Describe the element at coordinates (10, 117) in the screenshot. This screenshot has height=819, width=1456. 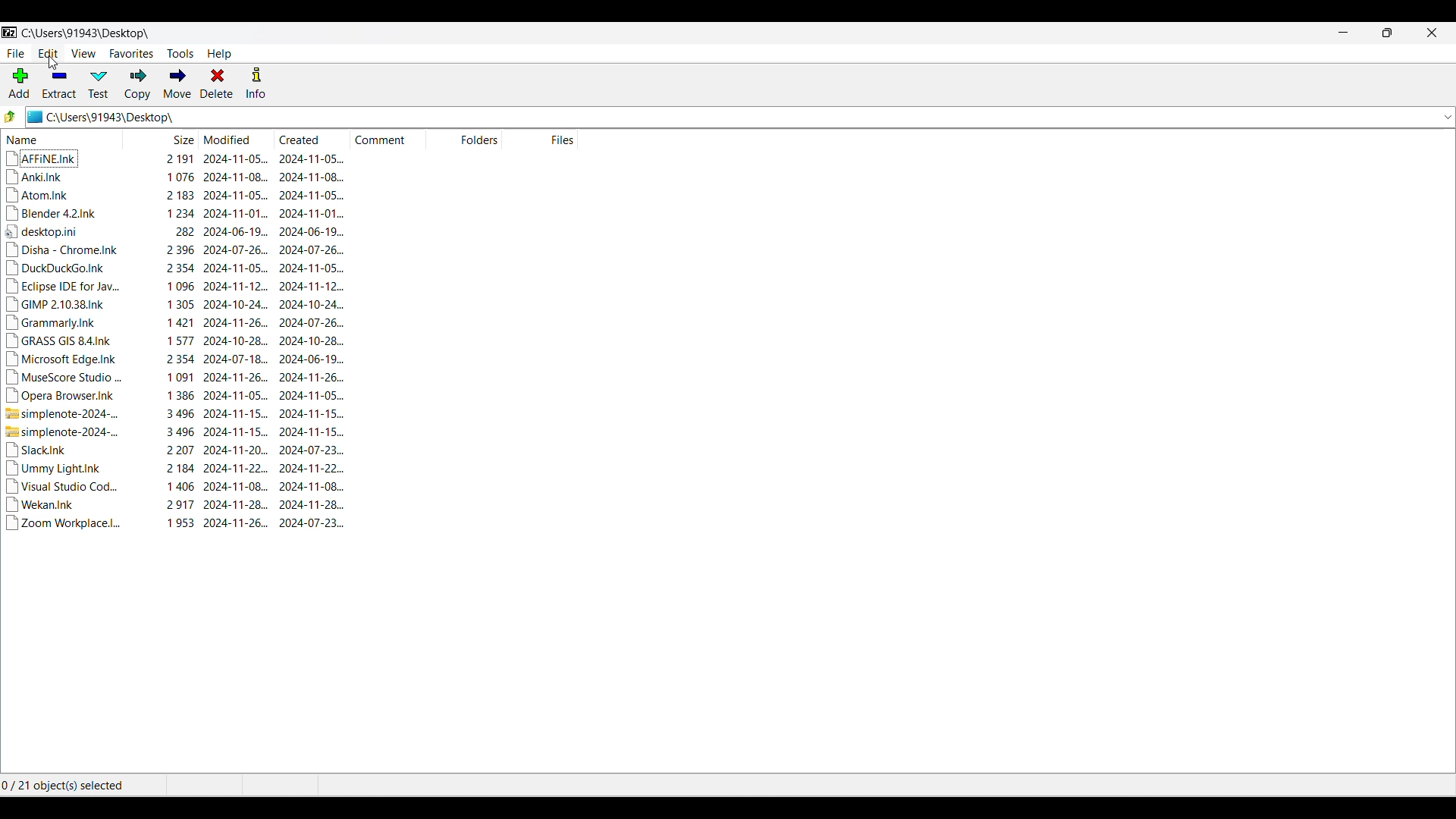
I see `Go to previous folder` at that location.